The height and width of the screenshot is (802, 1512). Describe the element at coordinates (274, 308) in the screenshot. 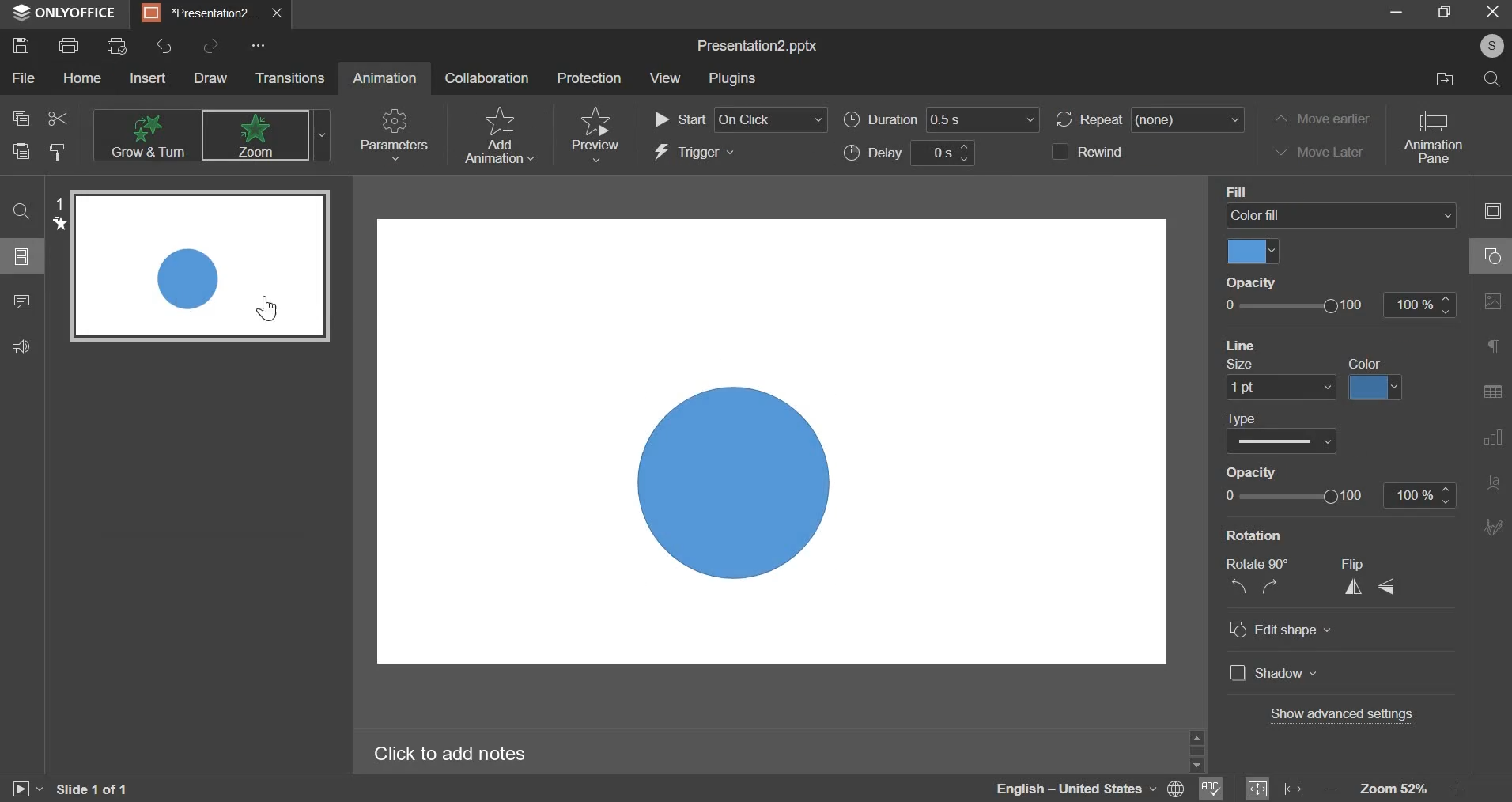

I see `cursor` at that location.